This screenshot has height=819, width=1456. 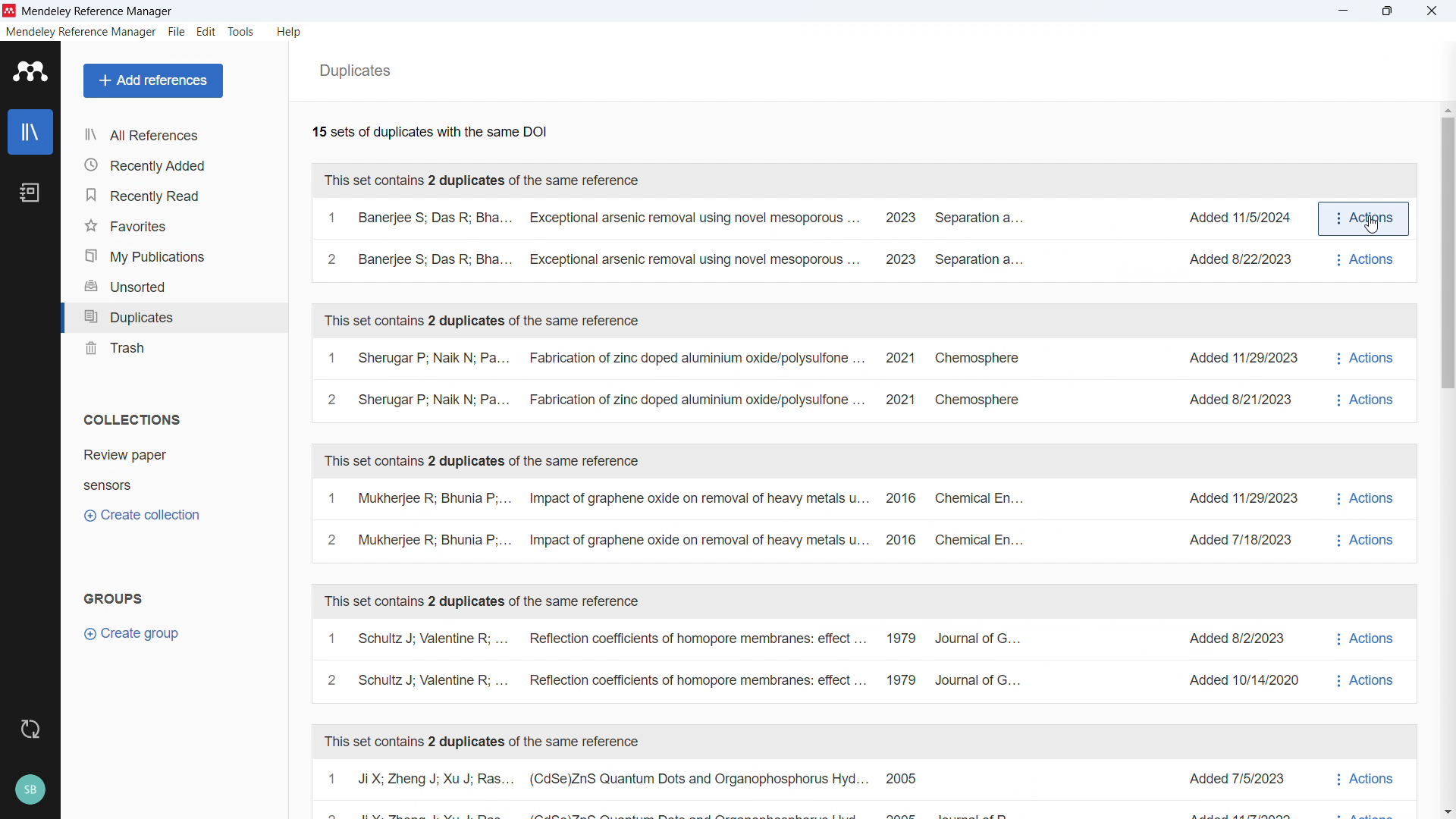 What do you see at coordinates (1449, 252) in the screenshot?
I see `Vertical scroll bar` at bounding box center [1449, 252].